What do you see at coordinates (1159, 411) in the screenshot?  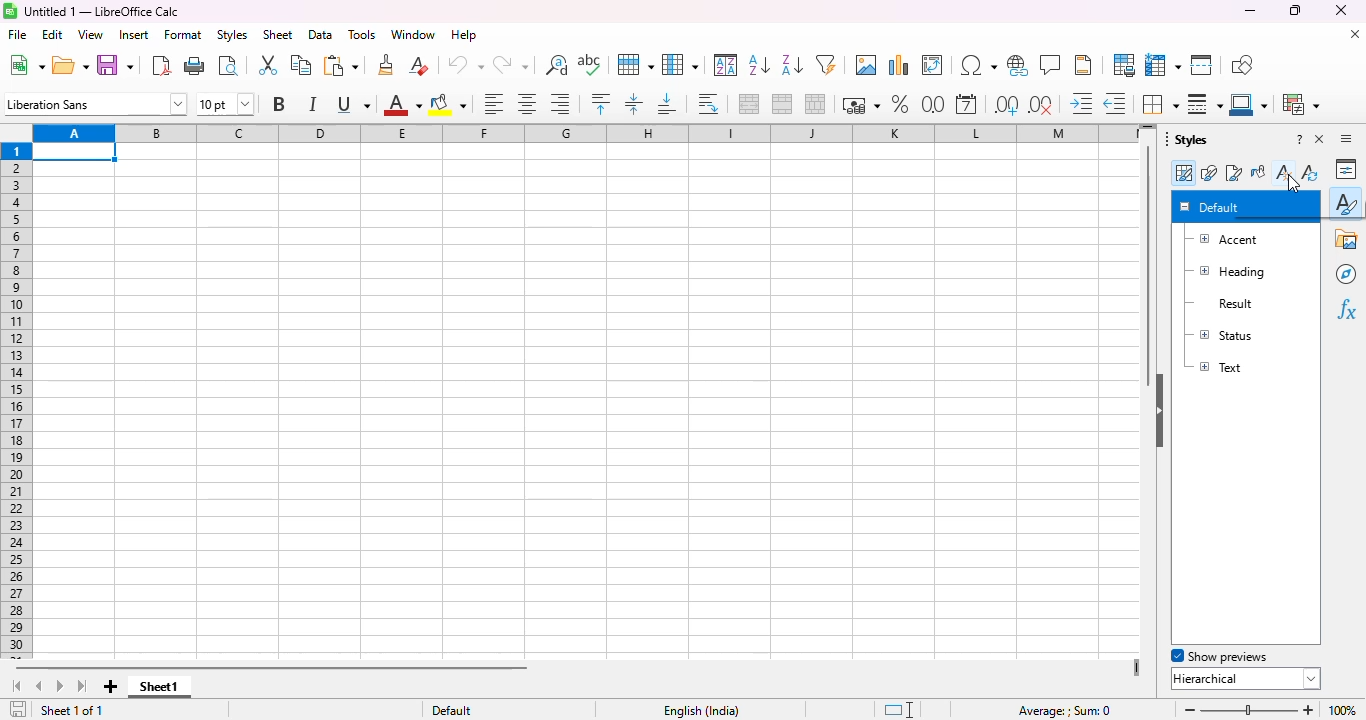 I see `hide` at bounding box center [1159, 411].